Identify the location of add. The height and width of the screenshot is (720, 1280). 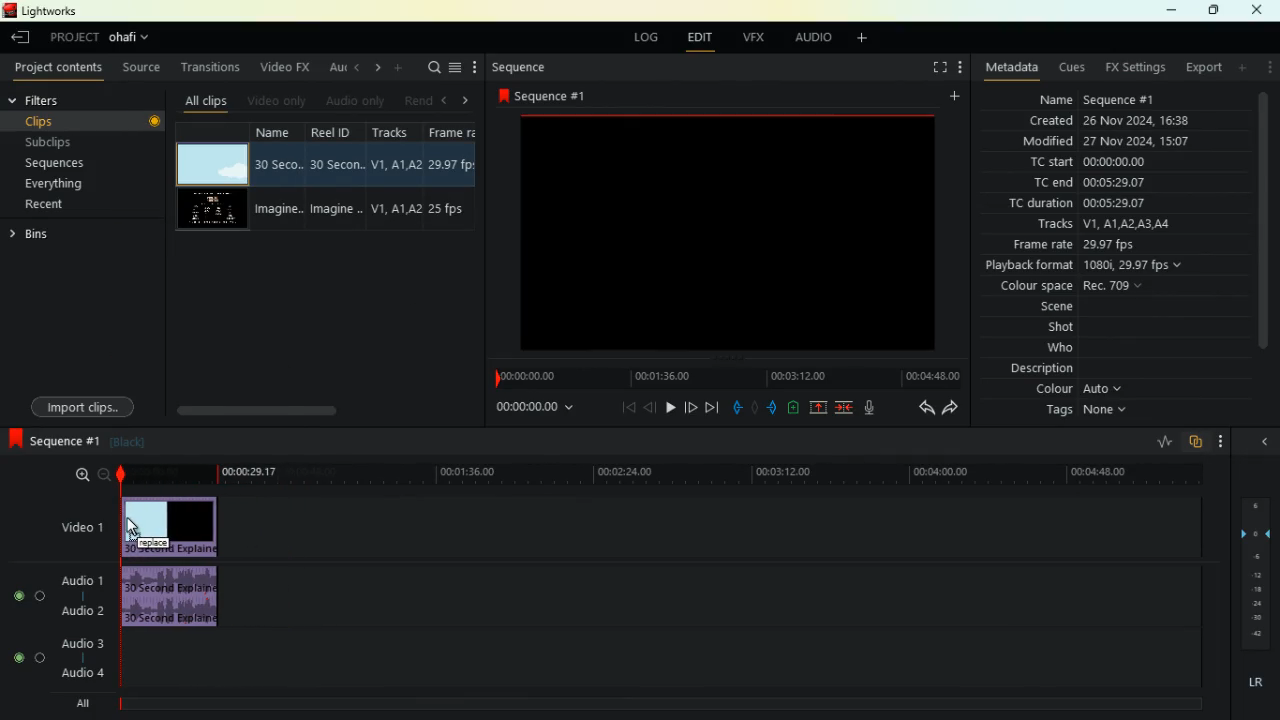
(860, 39).